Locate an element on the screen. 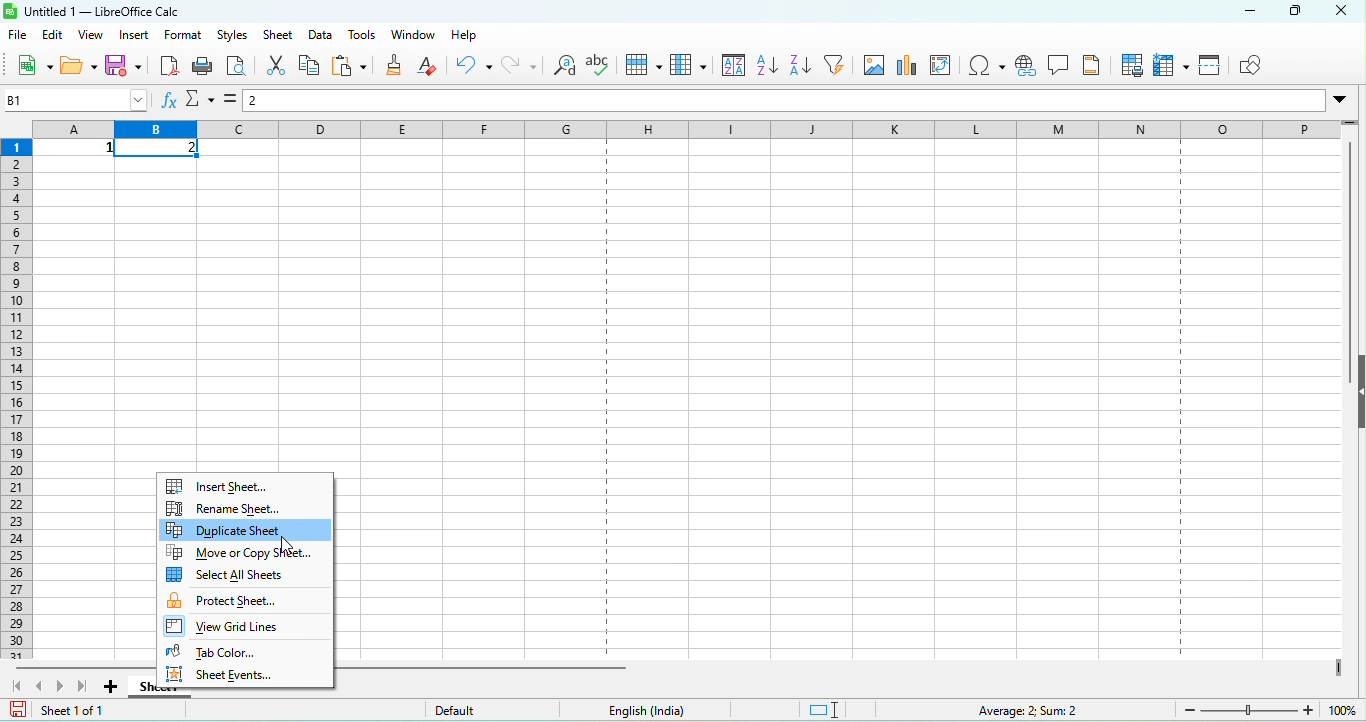 The width and height of the screenshot is (1366, 722). add sheet is located at coordinates (108, 687).